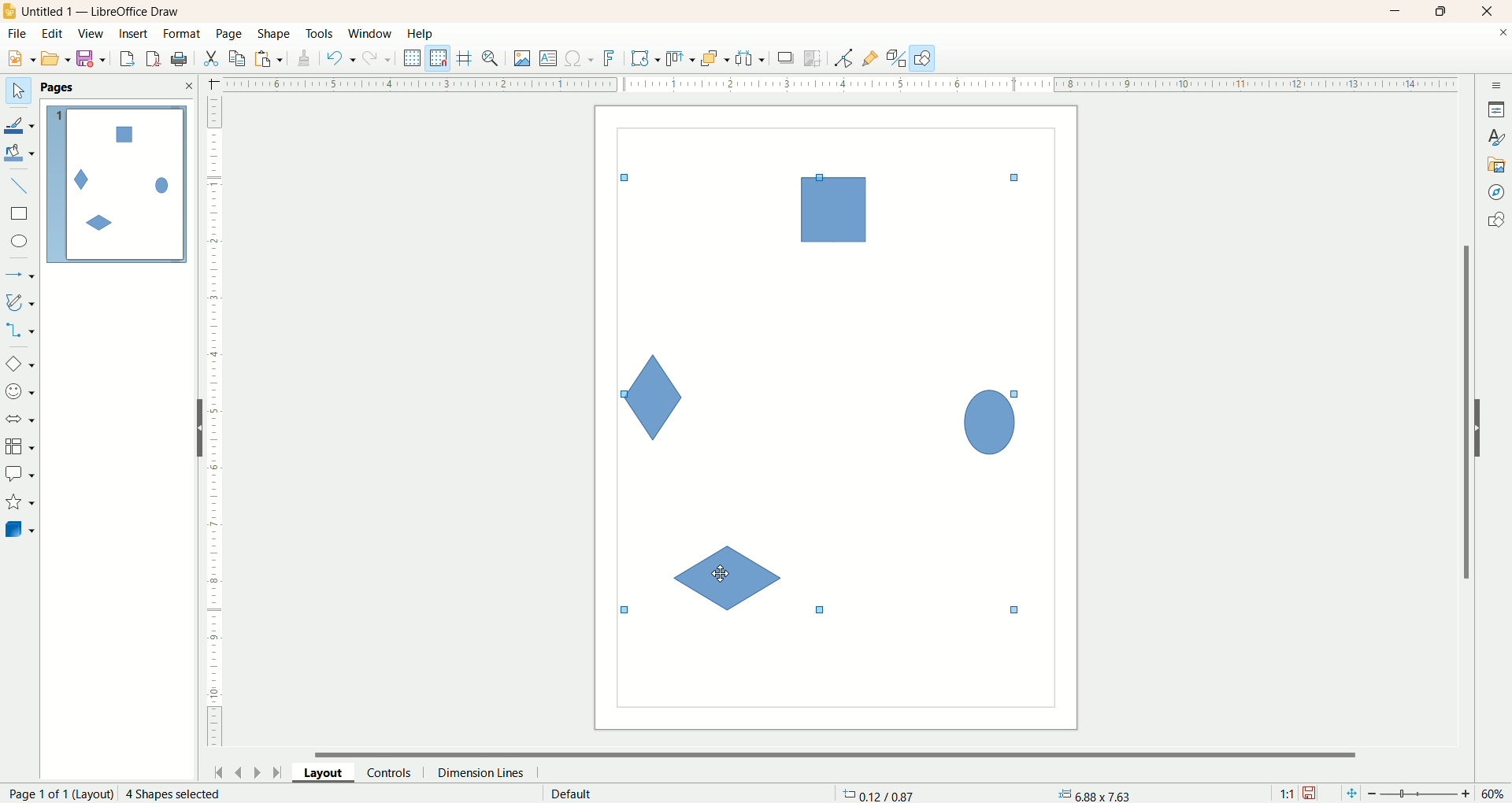 The width and height of the screenshot is (1512, 803). Describe the element at coordinates (237, 771) in the screenshot. I see `previous page` at that location.